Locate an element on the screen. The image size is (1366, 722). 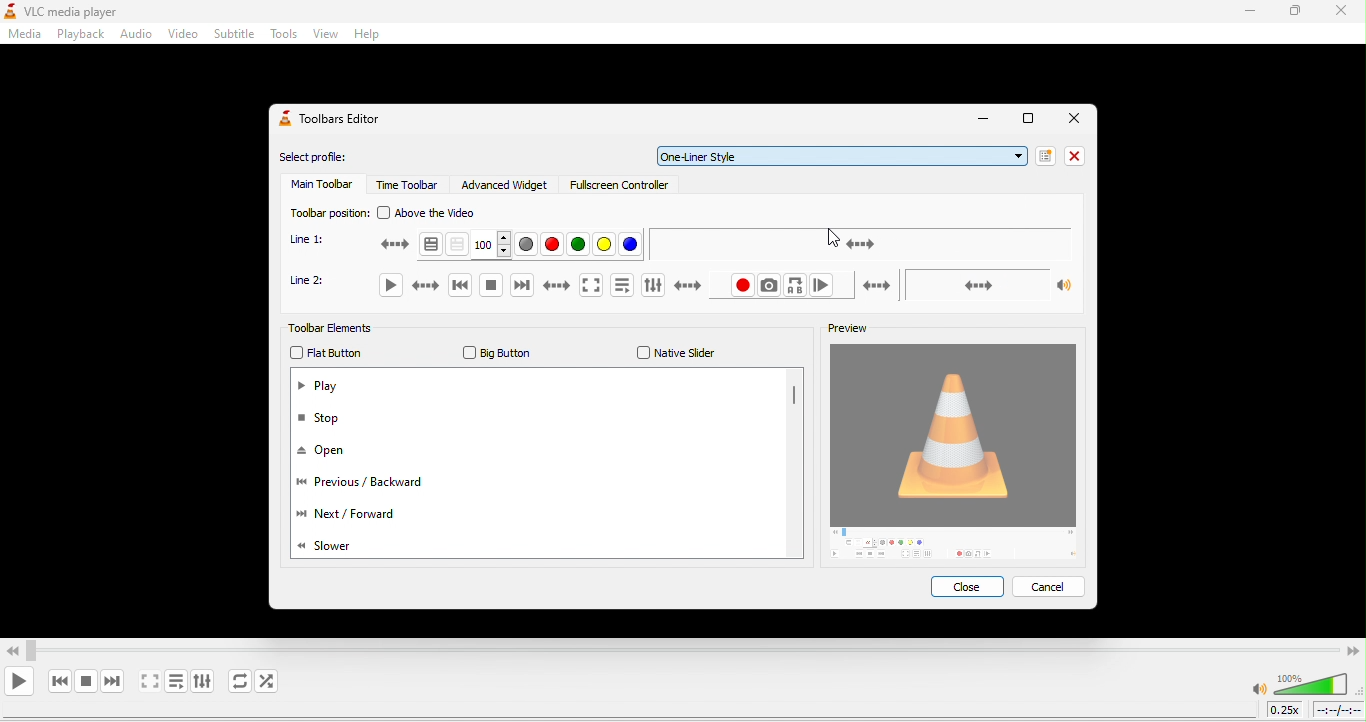
previous media is located at coordinates (461, 284).